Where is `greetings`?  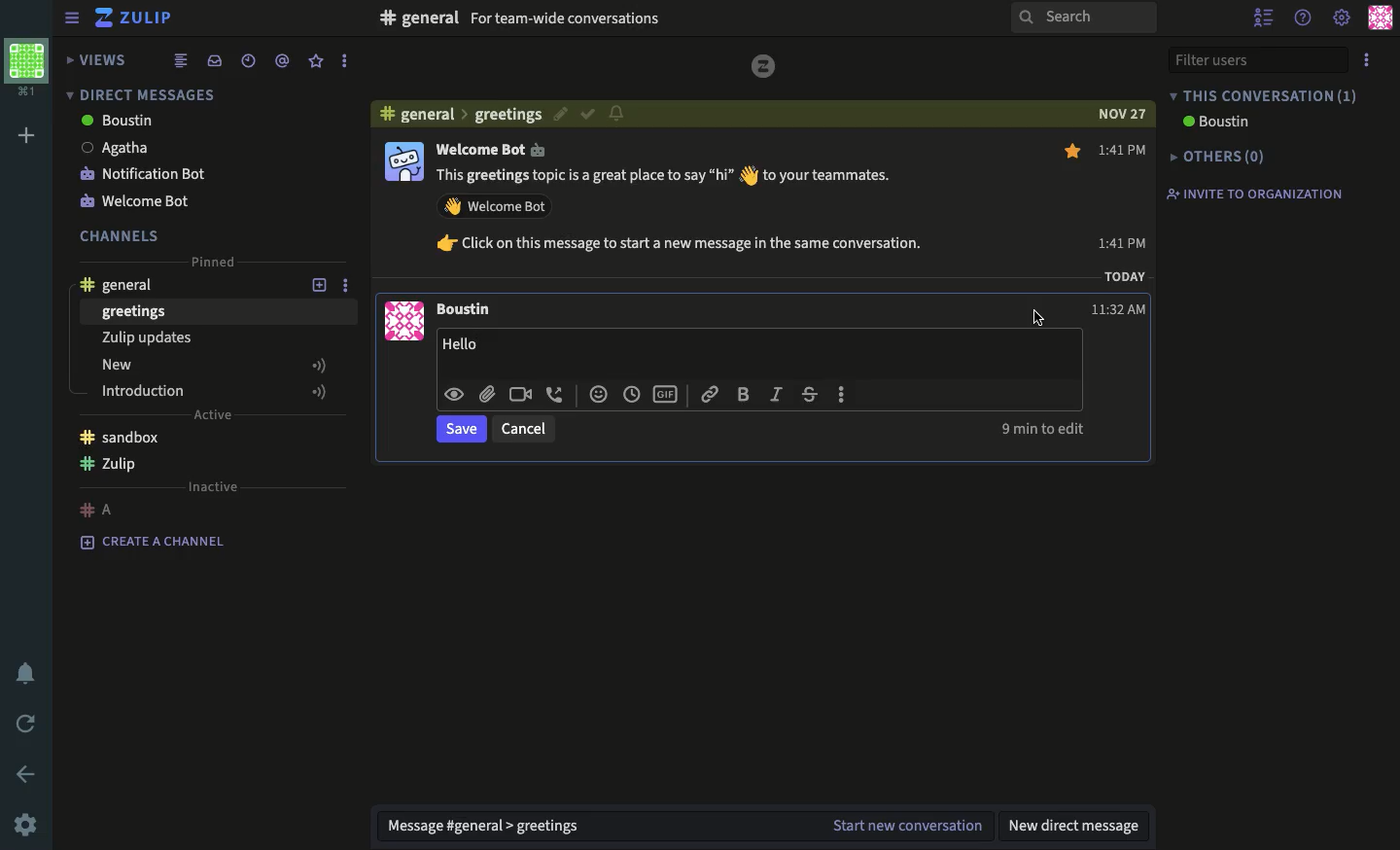 greetings is located at coordinates (135, 313).